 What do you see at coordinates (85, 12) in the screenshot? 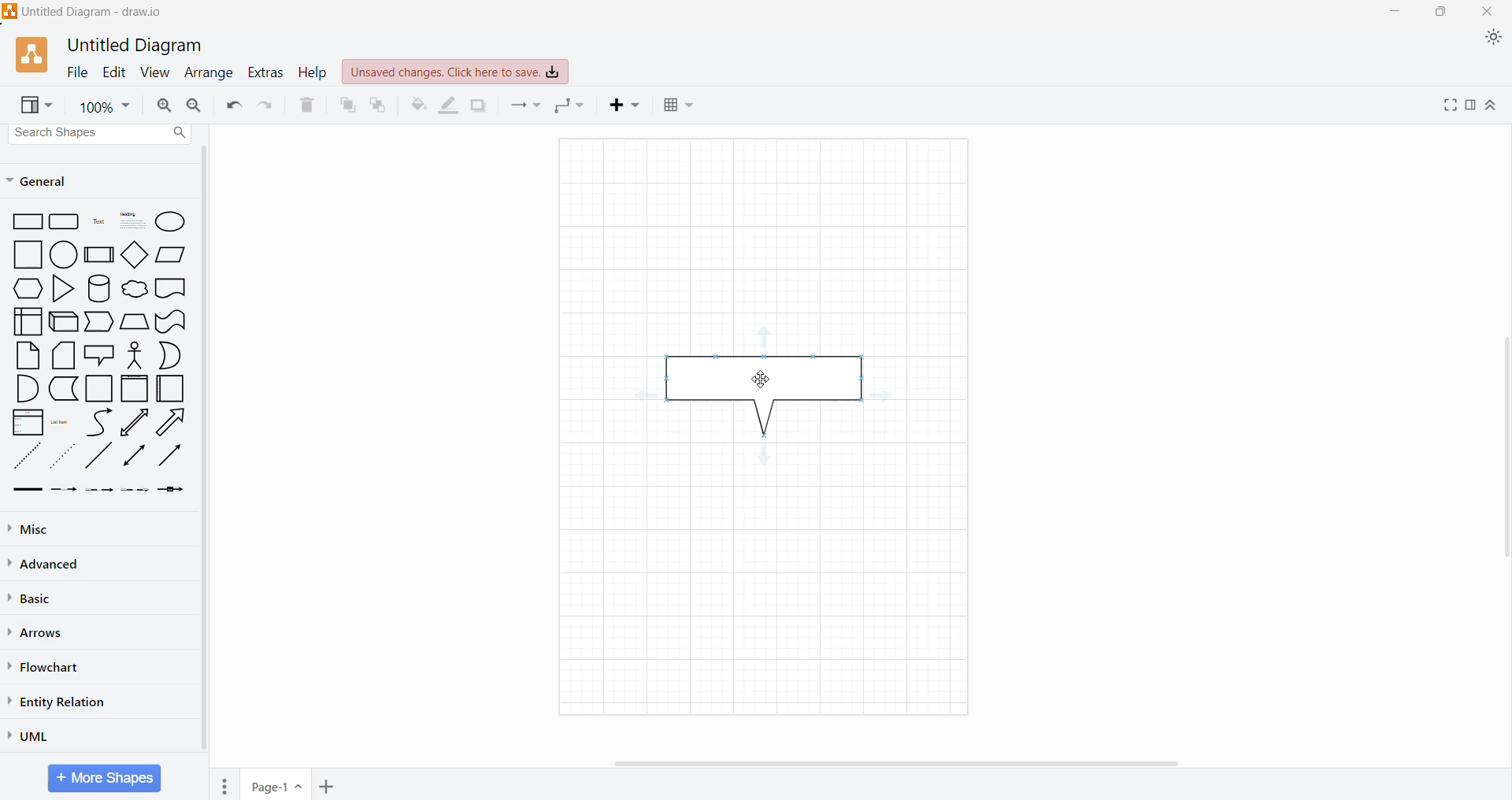
I see `Diagram Name - Application Name` at bounding box center [85, 12].